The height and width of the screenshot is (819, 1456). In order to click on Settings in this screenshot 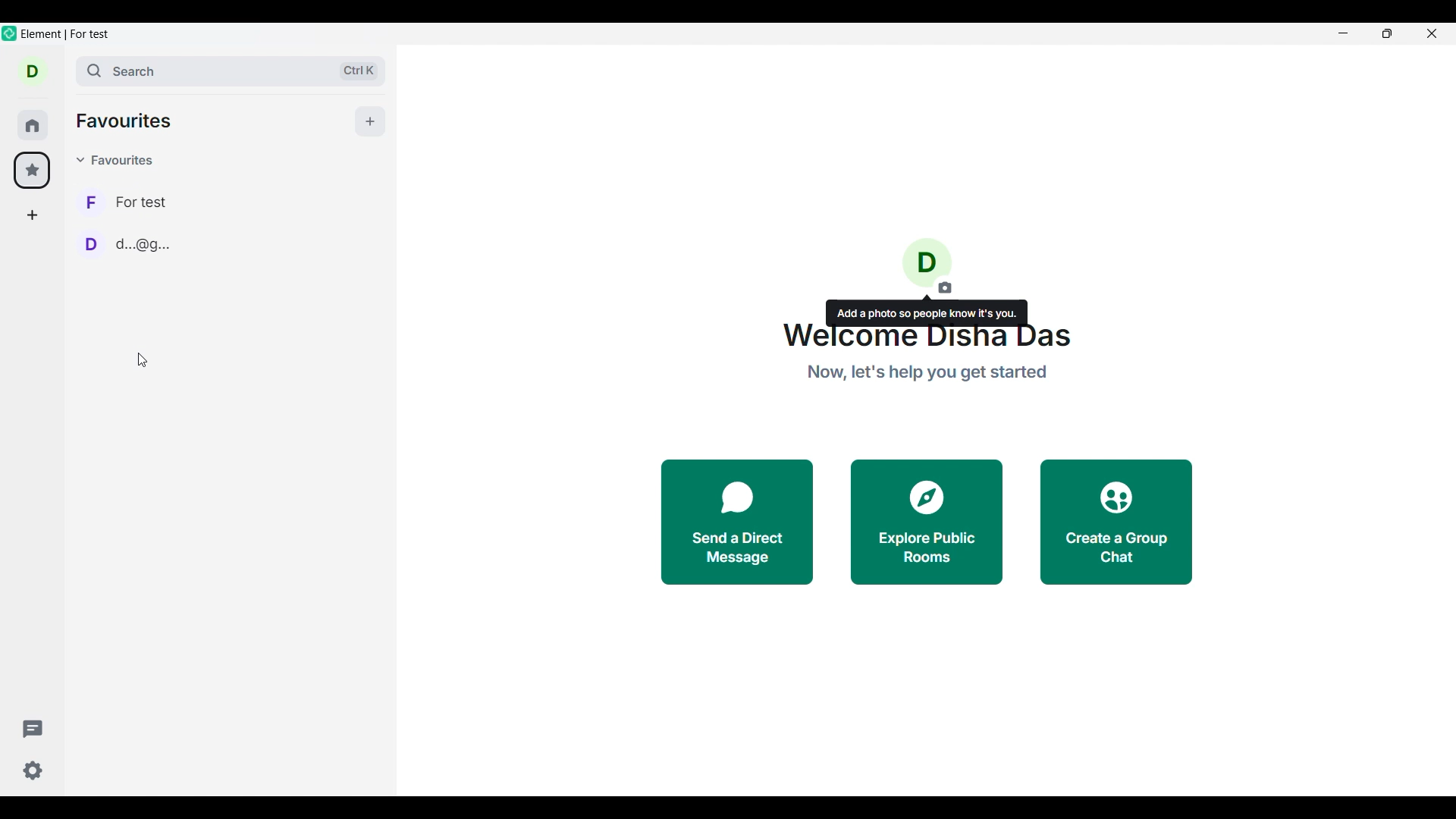, I will do `click(34, 770)`.